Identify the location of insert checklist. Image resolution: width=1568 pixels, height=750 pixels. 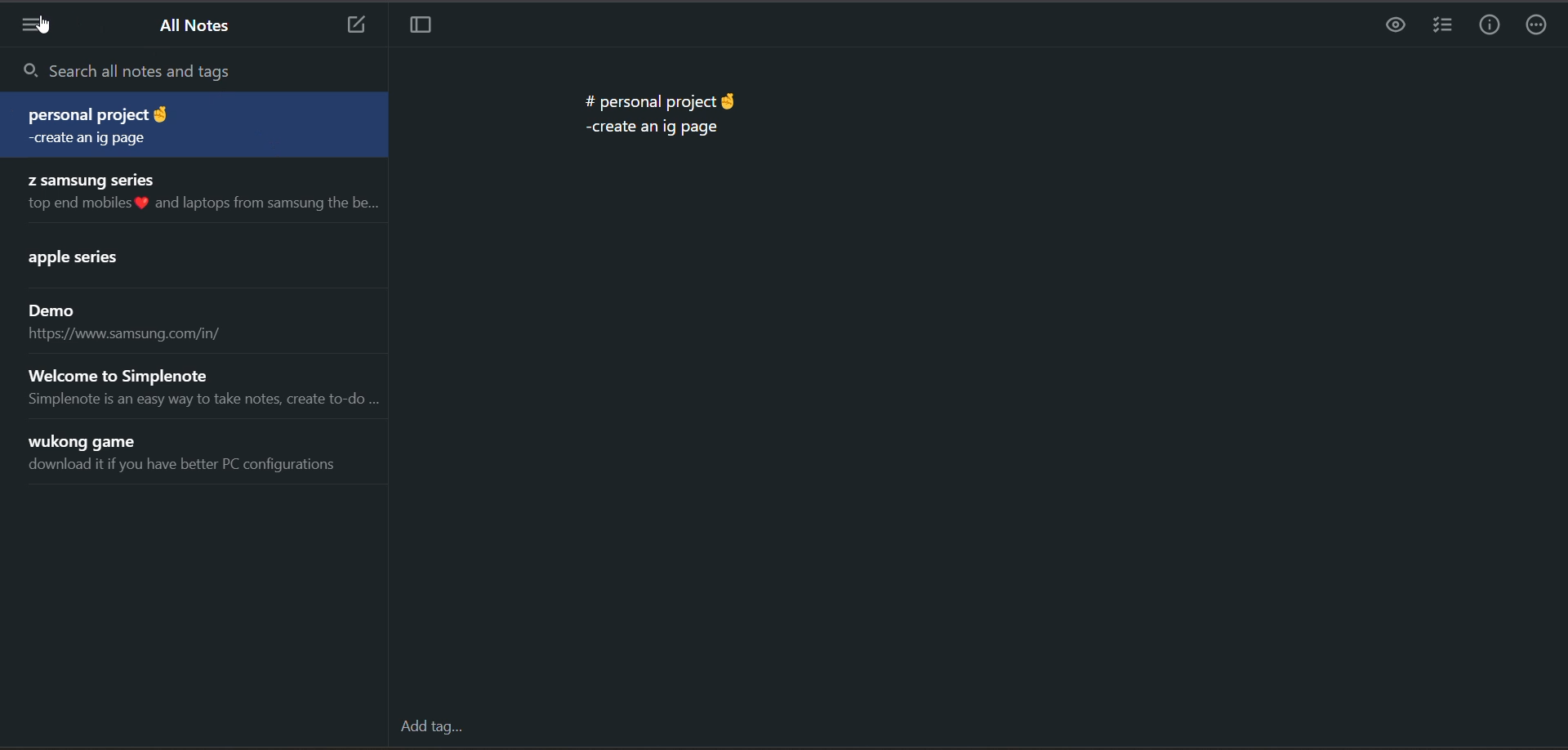
(1443, 26).